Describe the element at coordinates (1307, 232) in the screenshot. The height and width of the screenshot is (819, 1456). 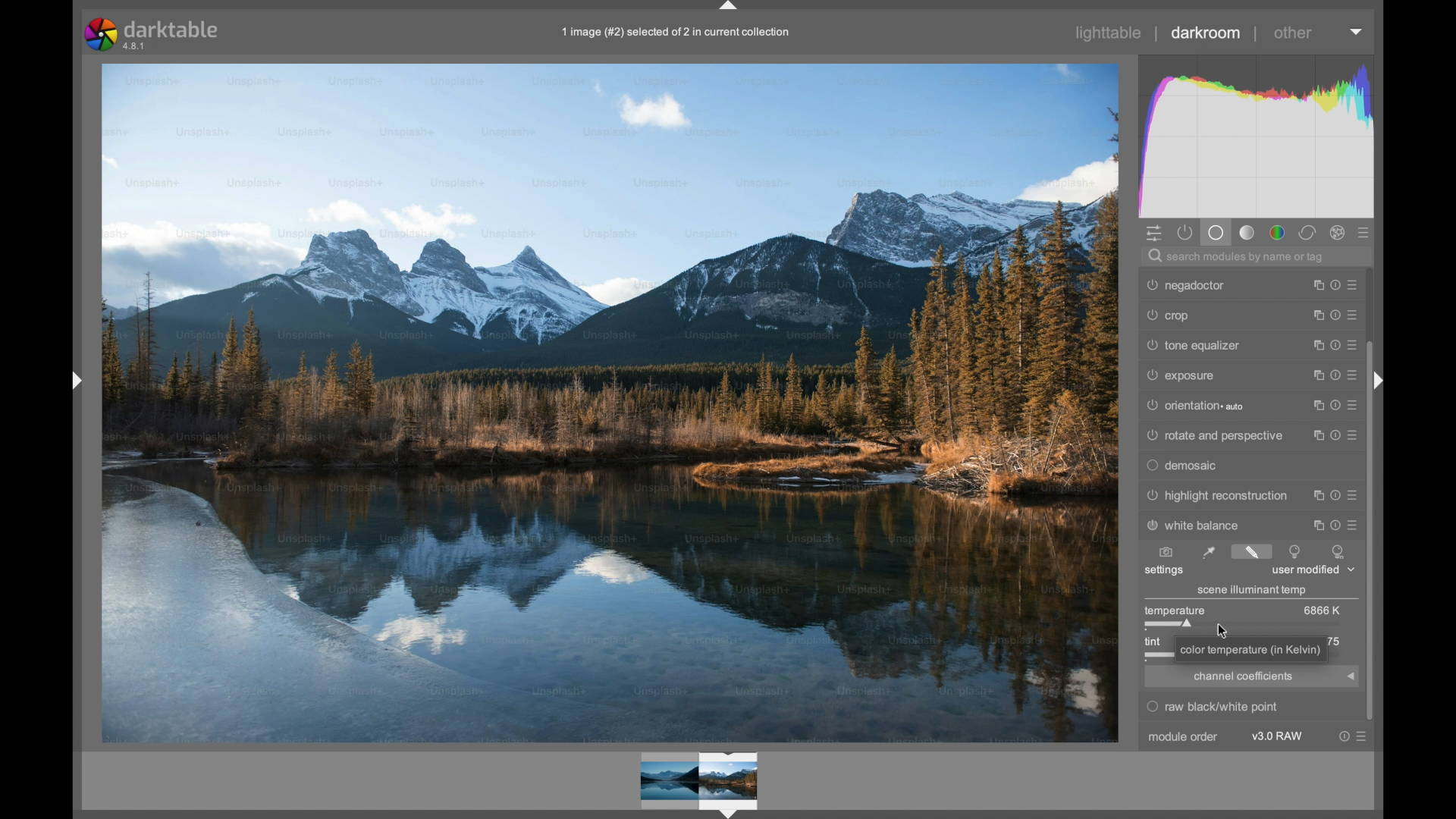
I see `corrector` at that location.